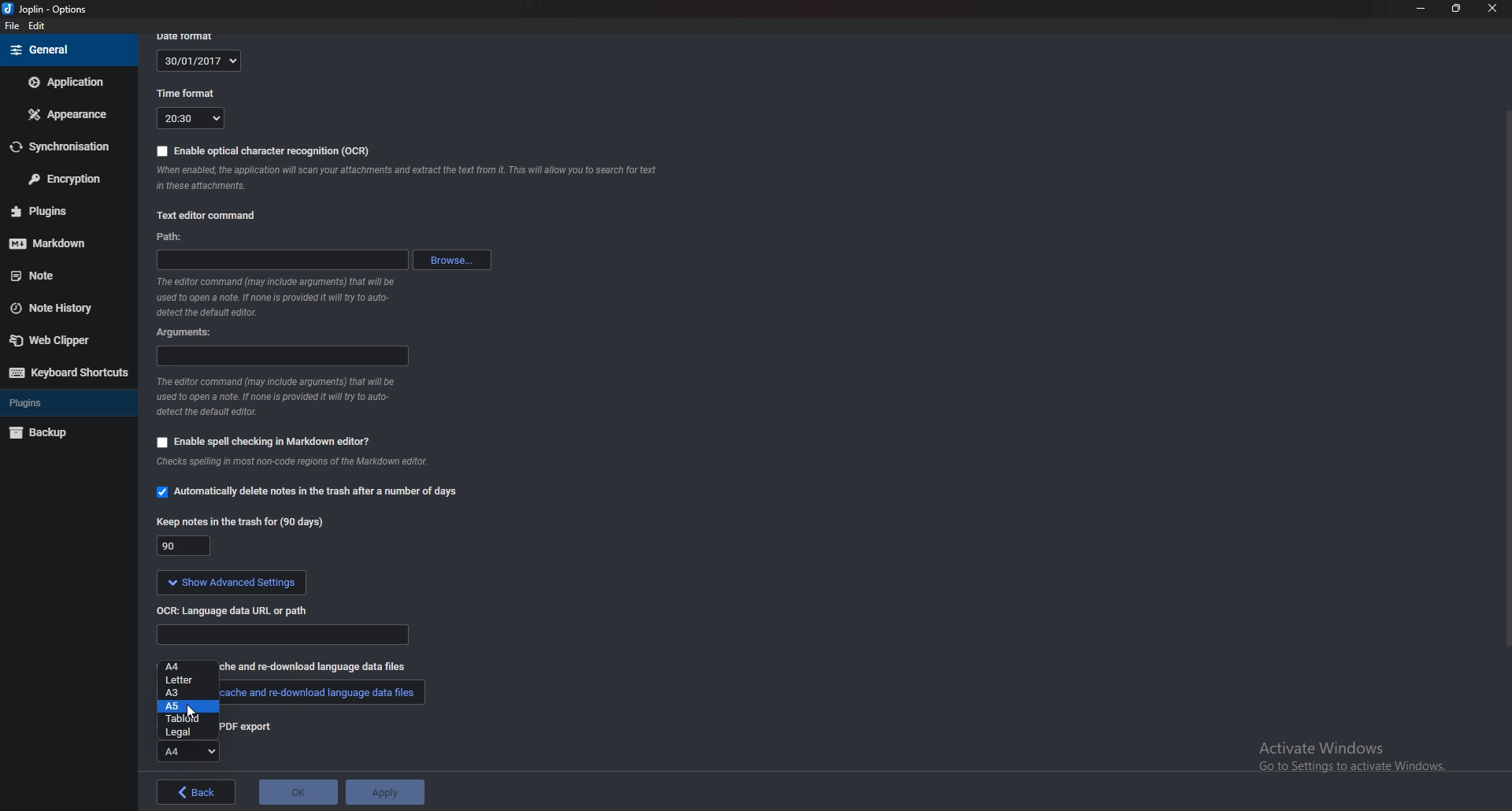 This screenshot has width=1512, height=811. Describe the element at coordinates (450, 260) in the screenshot. I see `browse` at that location.